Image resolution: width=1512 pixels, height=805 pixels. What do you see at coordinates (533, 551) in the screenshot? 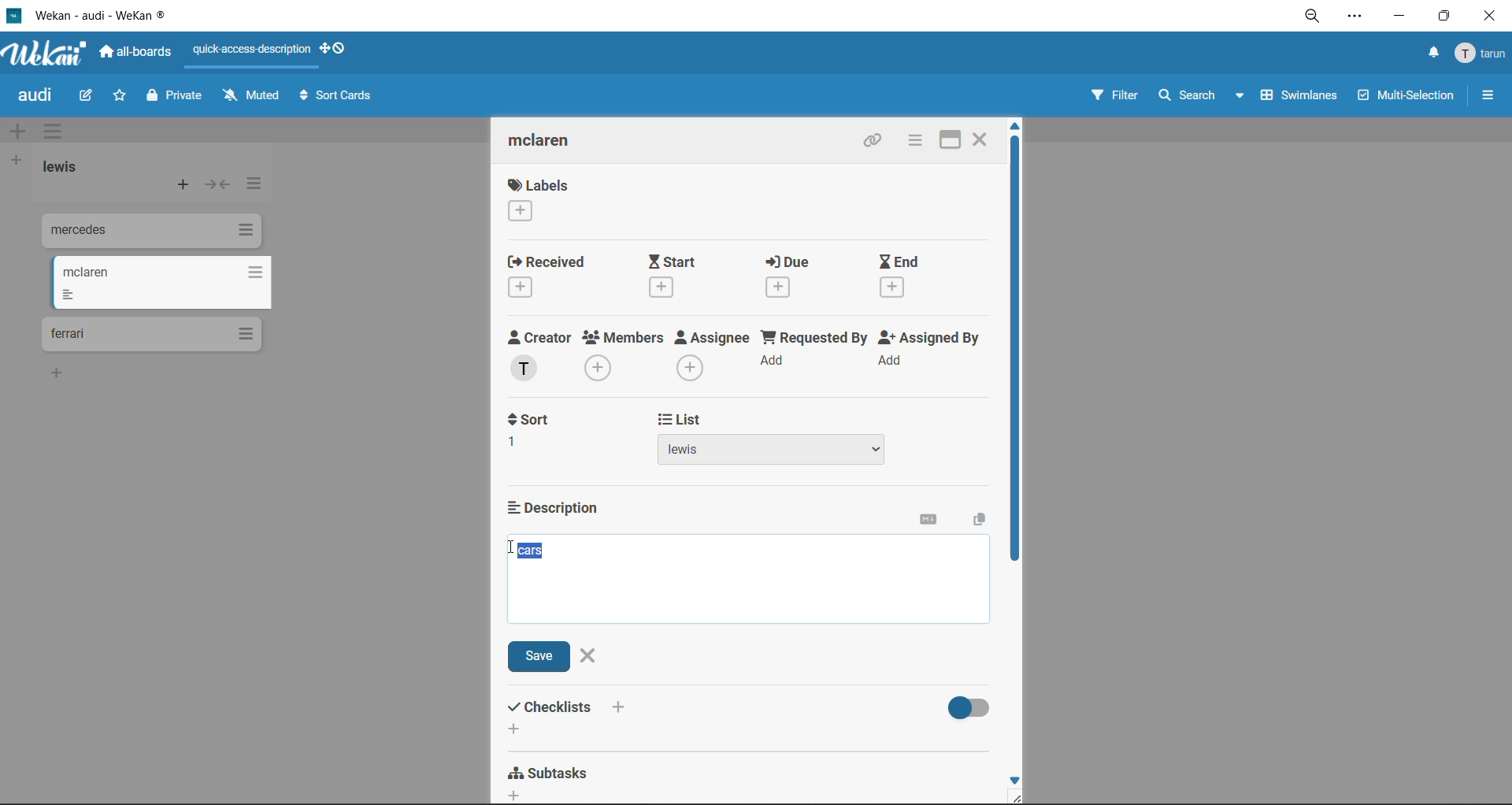
I see `selected description` at bounding box center [533, 551].